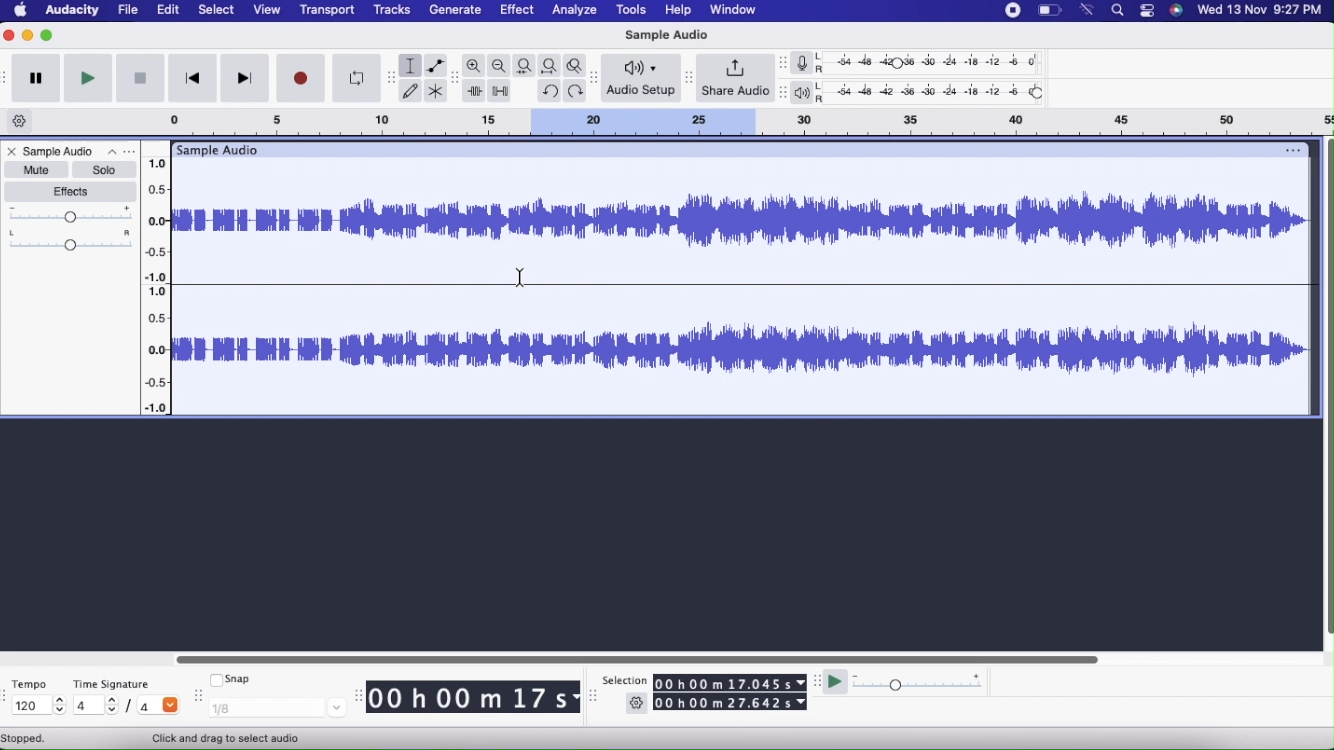 This screenshot has height=750, width=1334. Describe the element at coordinates (118, 152) in the screenshot. I see `more options` at that location.